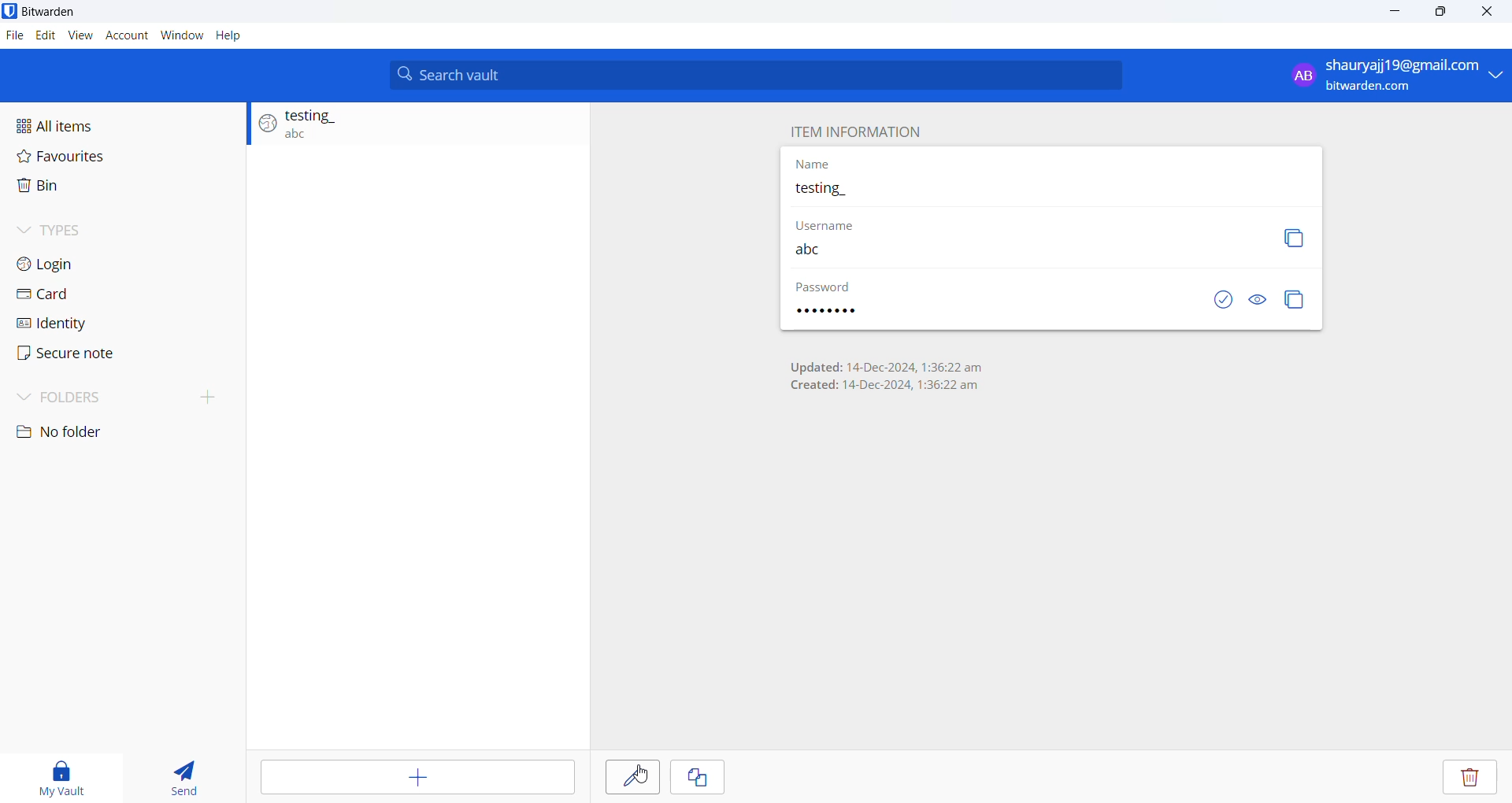  I want to click on Item information heading, so click(859, 131).